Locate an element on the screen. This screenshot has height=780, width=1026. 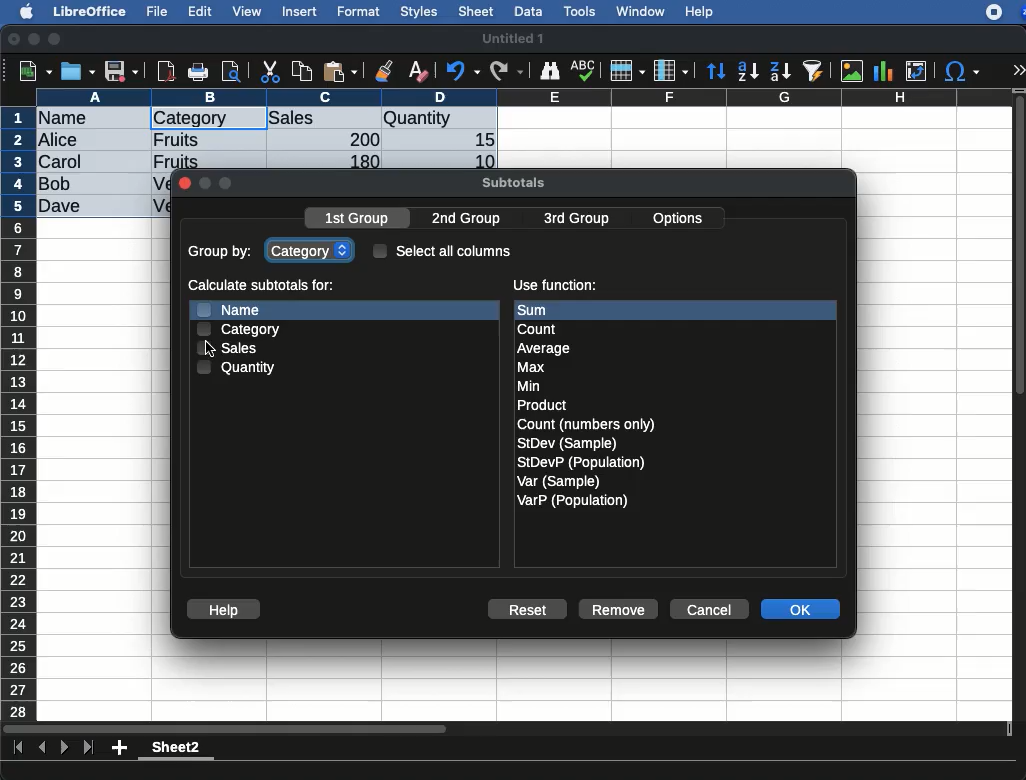
descending is located at coordinates (781, 72).